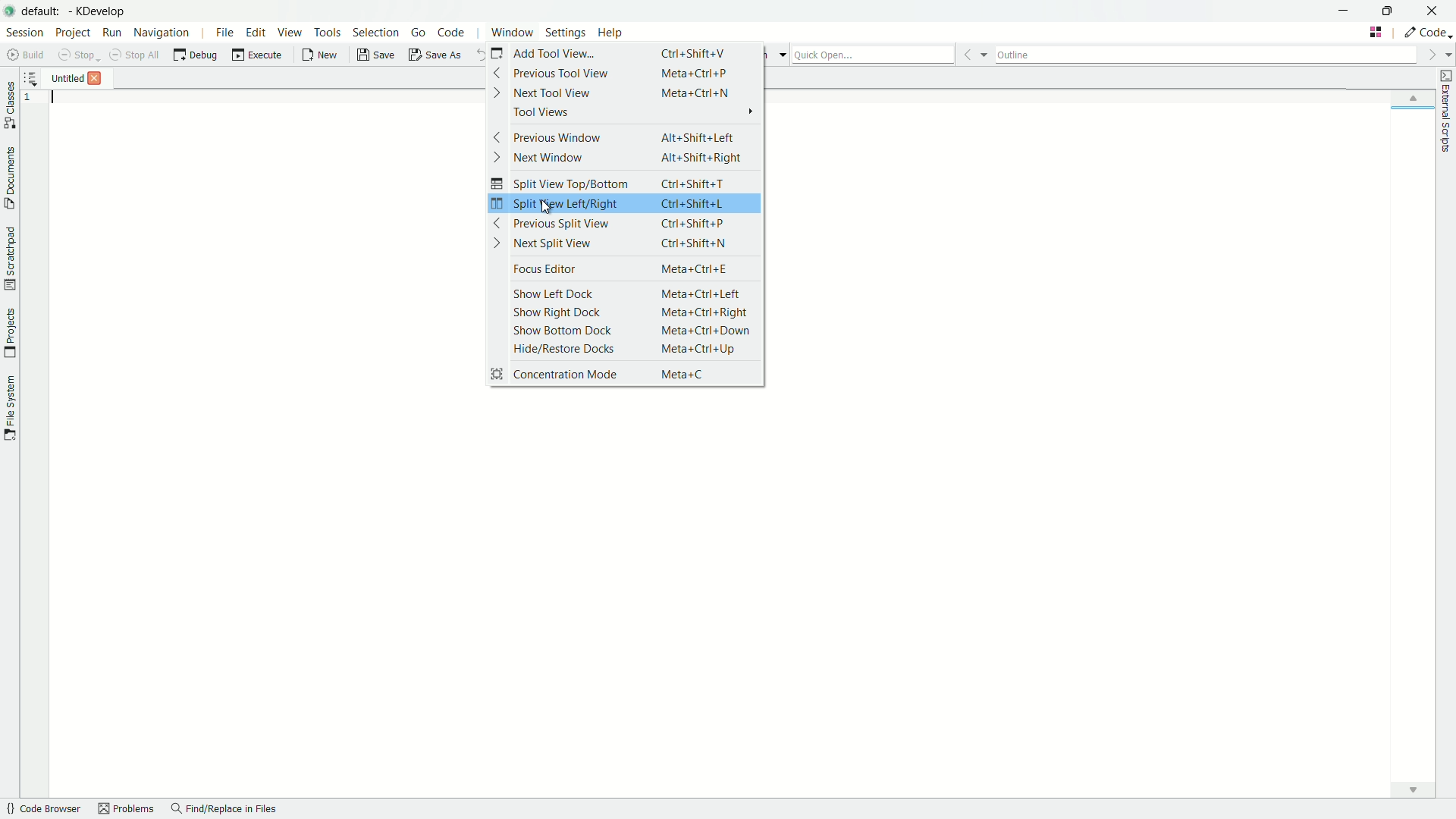 The image size is (1456, 819). Describe the element at coordinates (574, 267) in the screenshot. I see `focus editor` at that location.